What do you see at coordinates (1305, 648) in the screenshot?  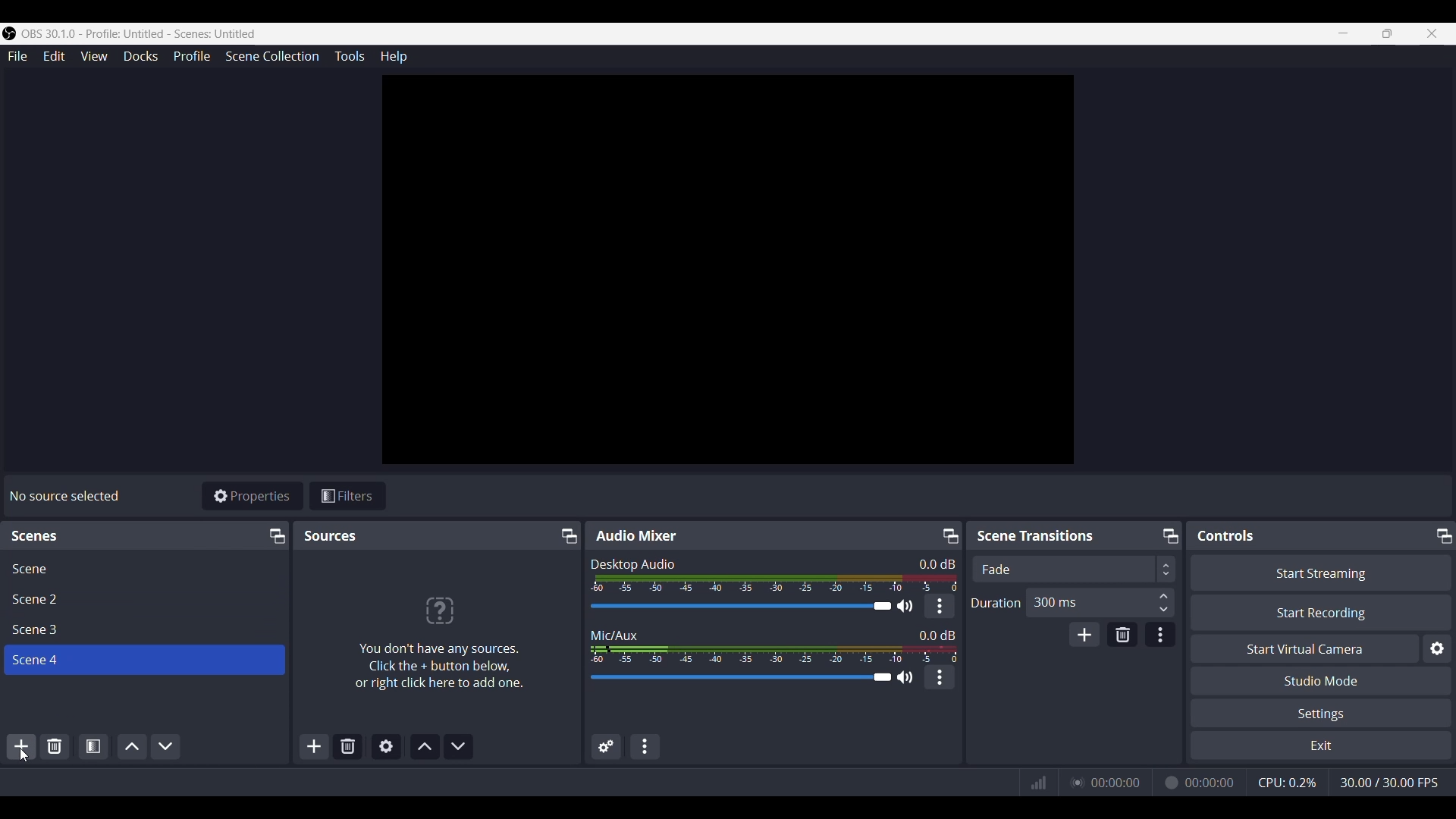 I see `Start Virtual Camera` at bounding box center [1305, 648].